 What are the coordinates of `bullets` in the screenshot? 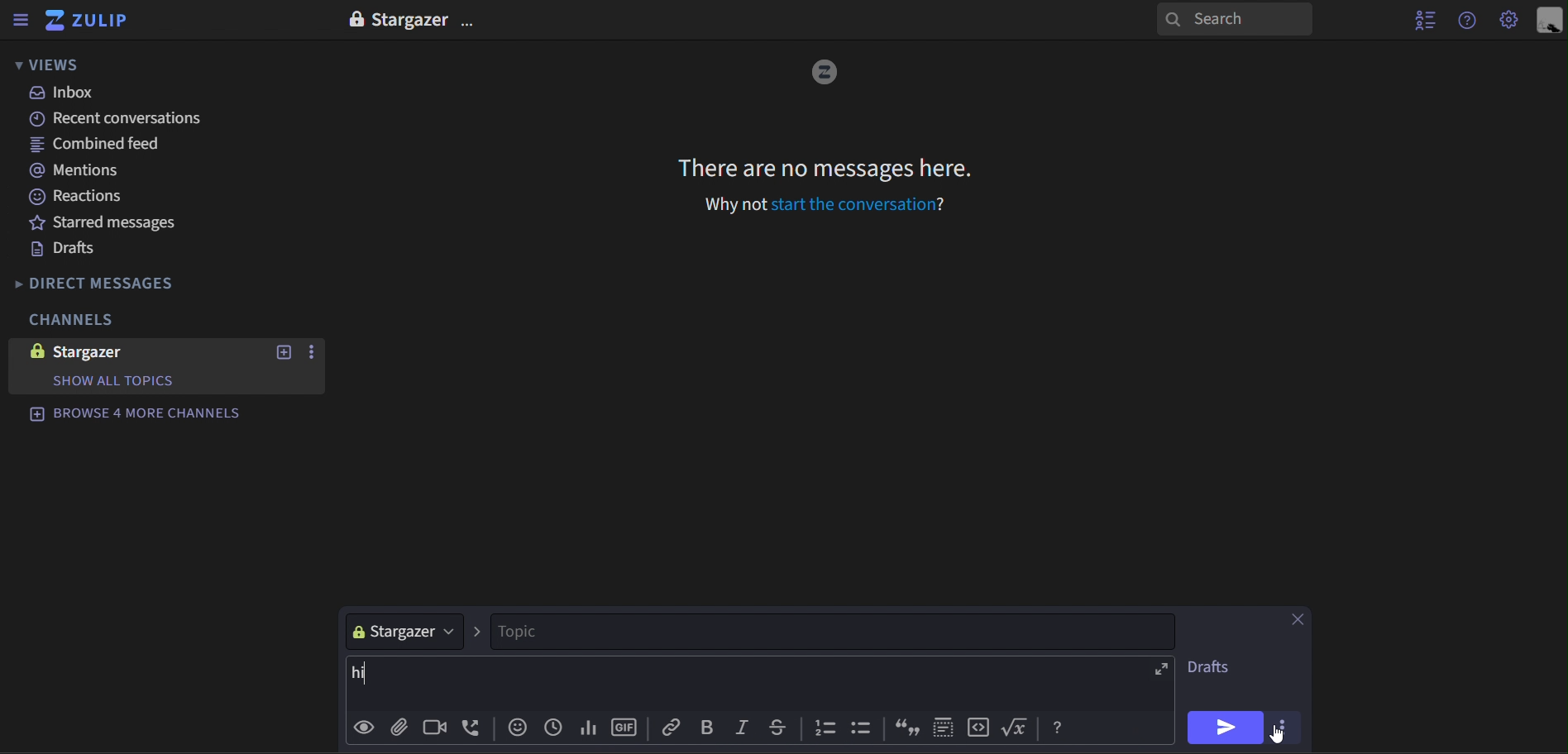 It's located at (863, 729).